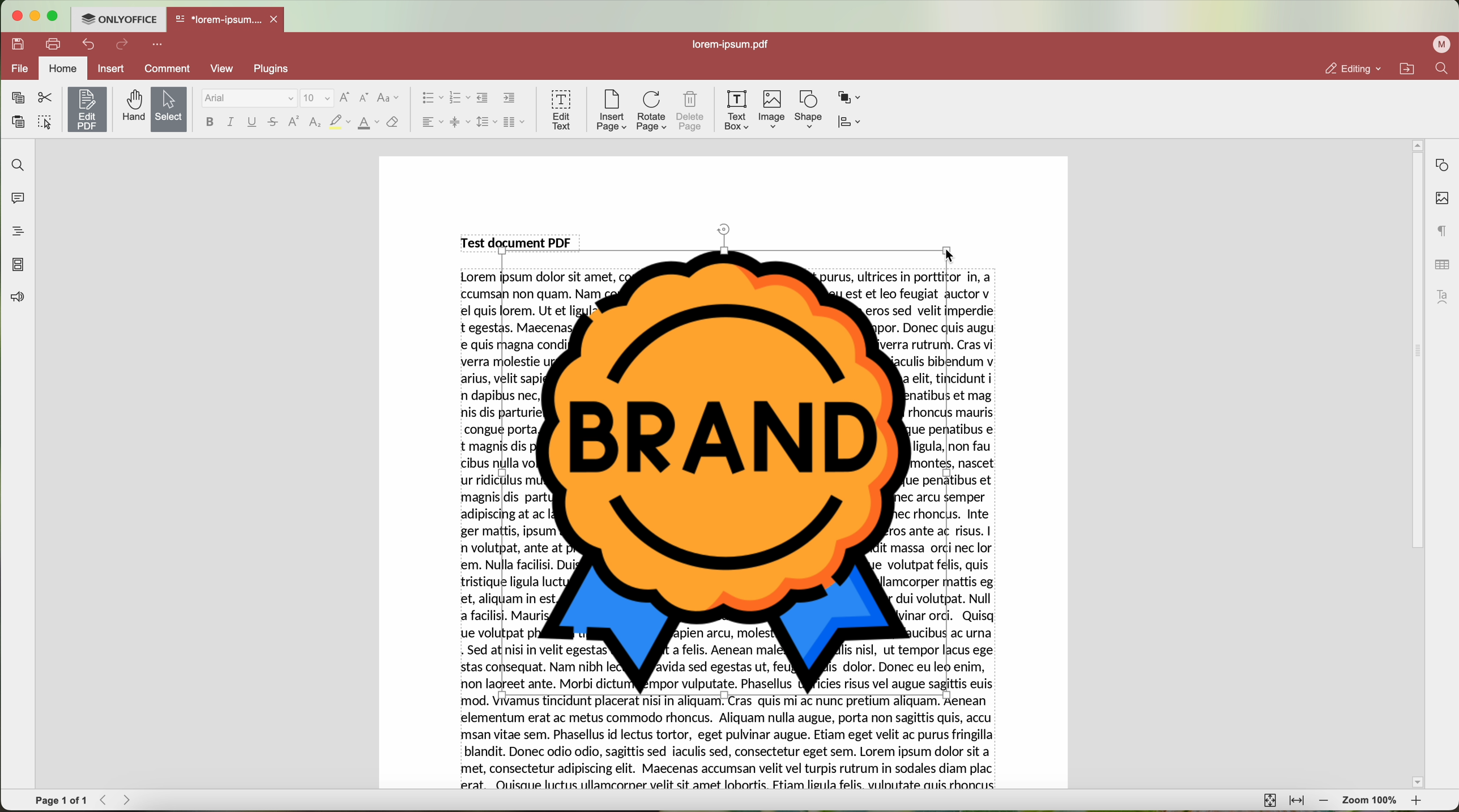 The height and width of the screenshot is (812, 1459). Describe the element at coordinates (431, 122) in the screenshot. I see `horizontal align` at that location.